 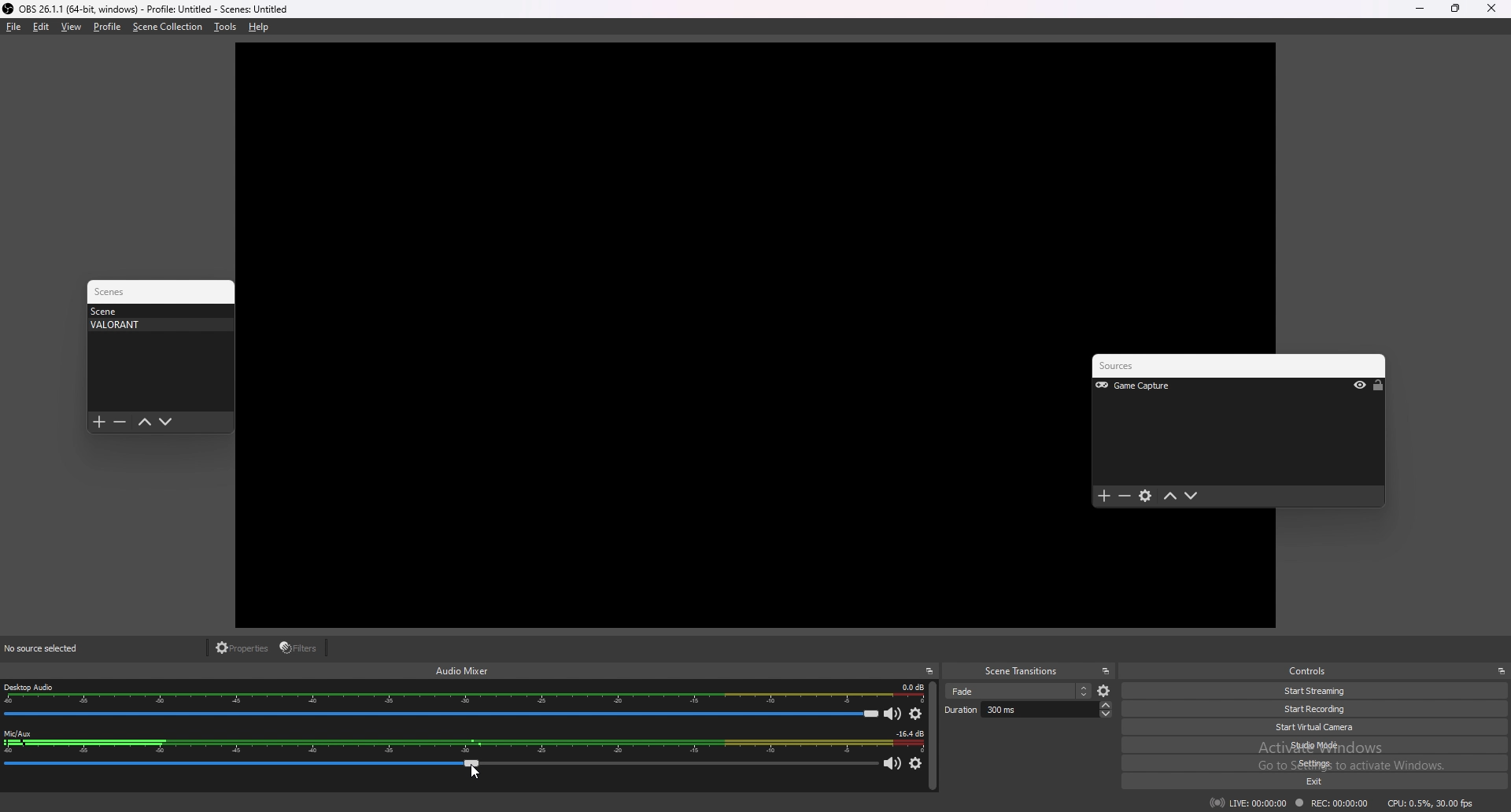 What do you see at coordinates (1324, 763) in the screenshot?
I see `settings` at bounding box center [1324, 763].